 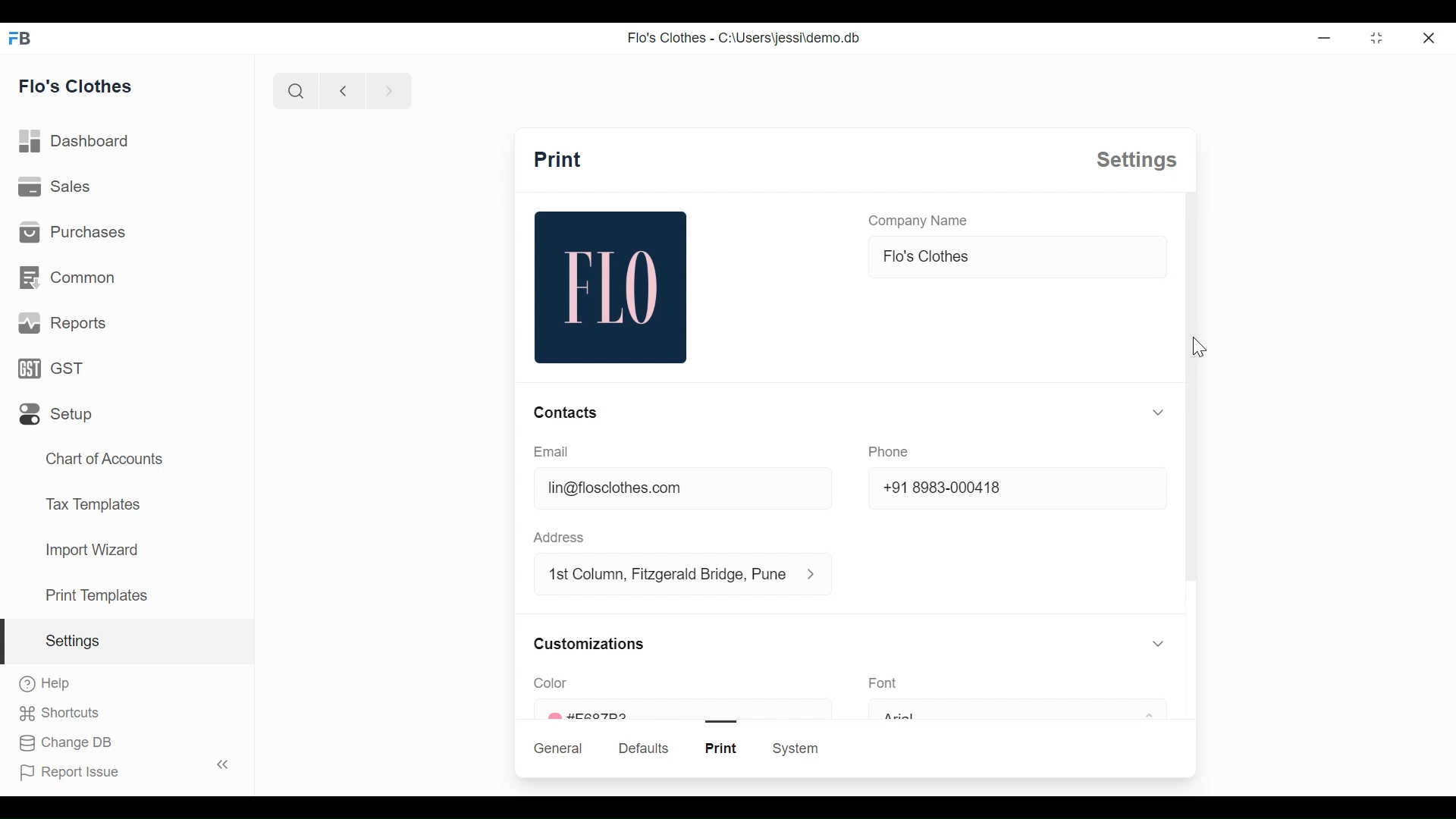 What do you see at coordinates (557, 160) in the screenshot?
I see `print` at bounding box center [557, 160].